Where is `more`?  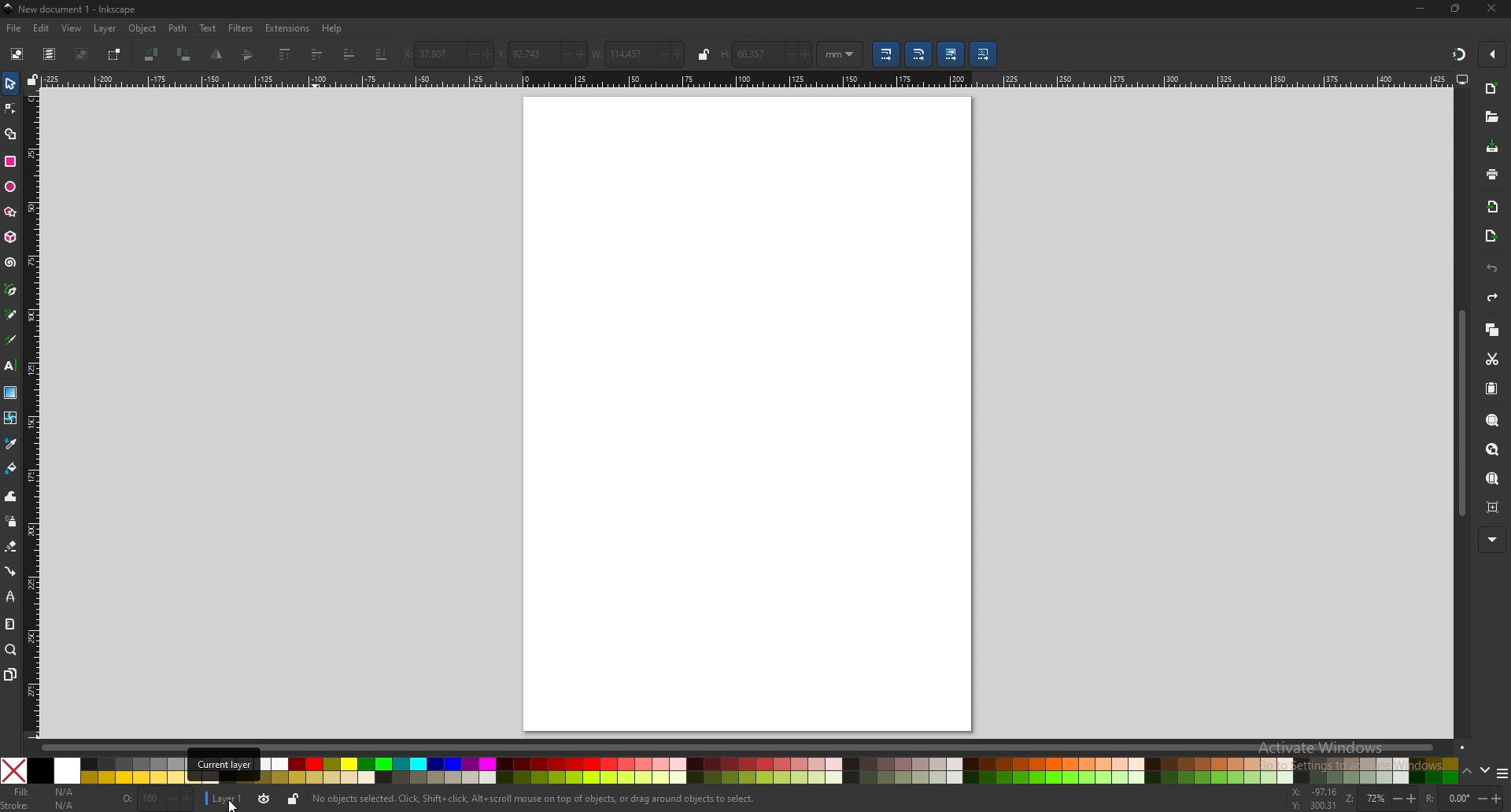
more is located at coordinates (1491, 541).